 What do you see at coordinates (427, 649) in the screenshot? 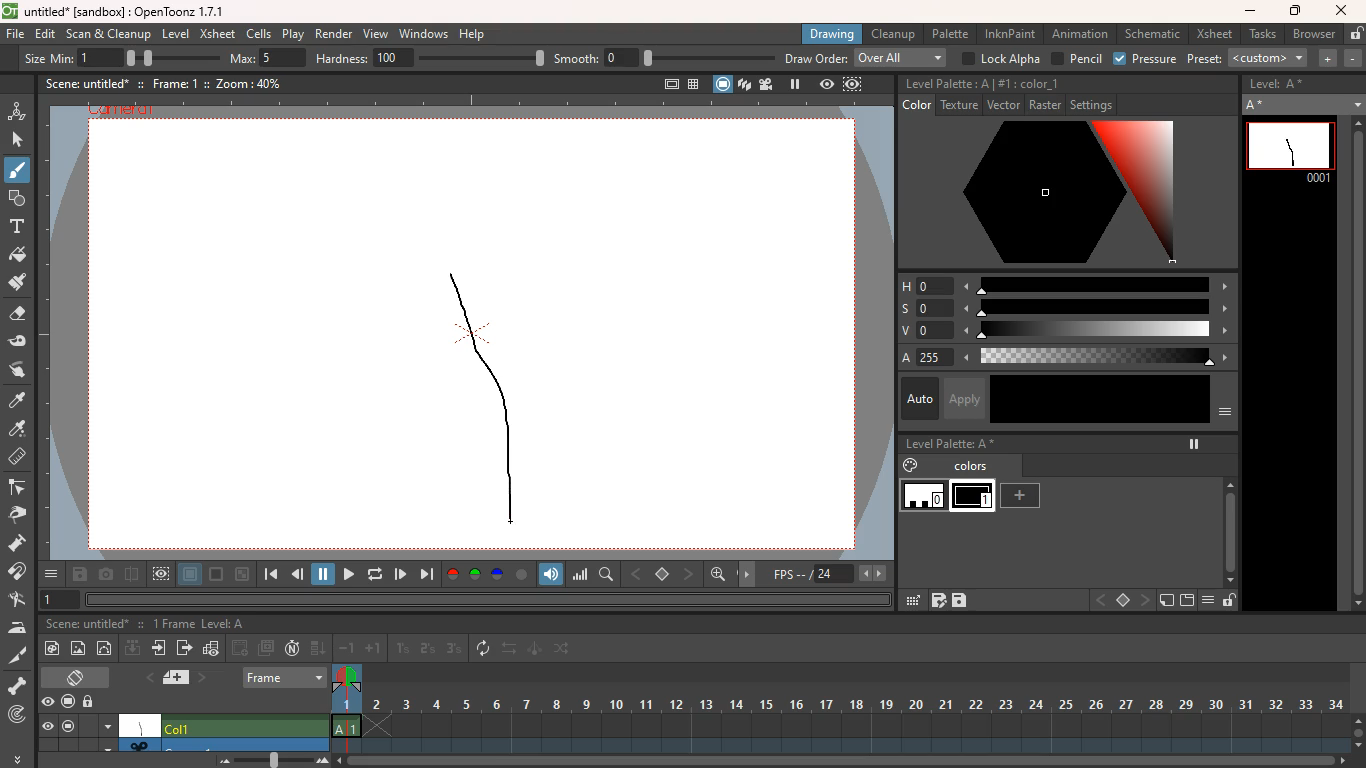
I see `2` at bounding box center [427, 649].